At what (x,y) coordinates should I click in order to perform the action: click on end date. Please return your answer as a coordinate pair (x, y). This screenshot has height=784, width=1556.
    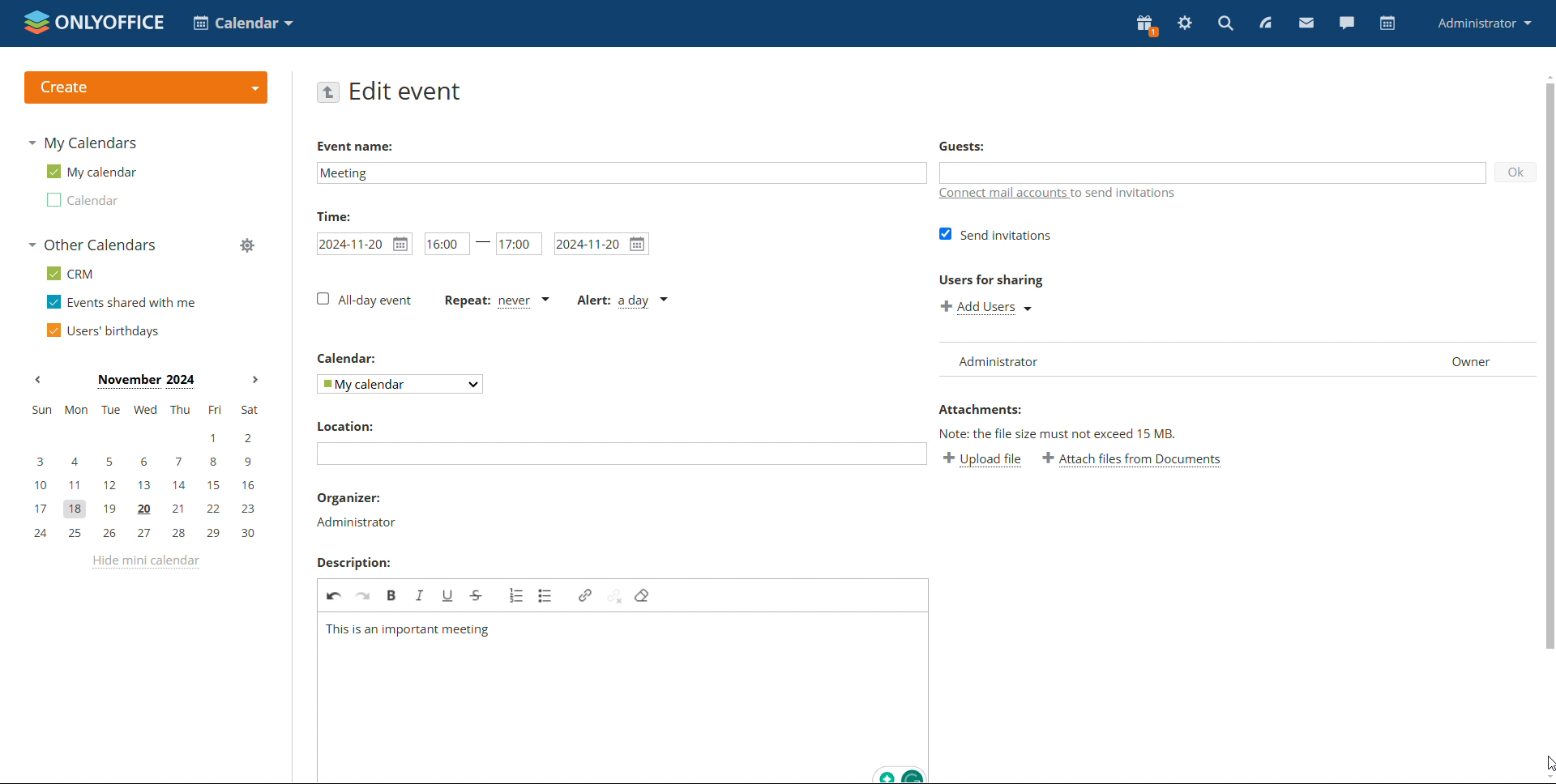
    Looking at the image, I should click on (601, 244).